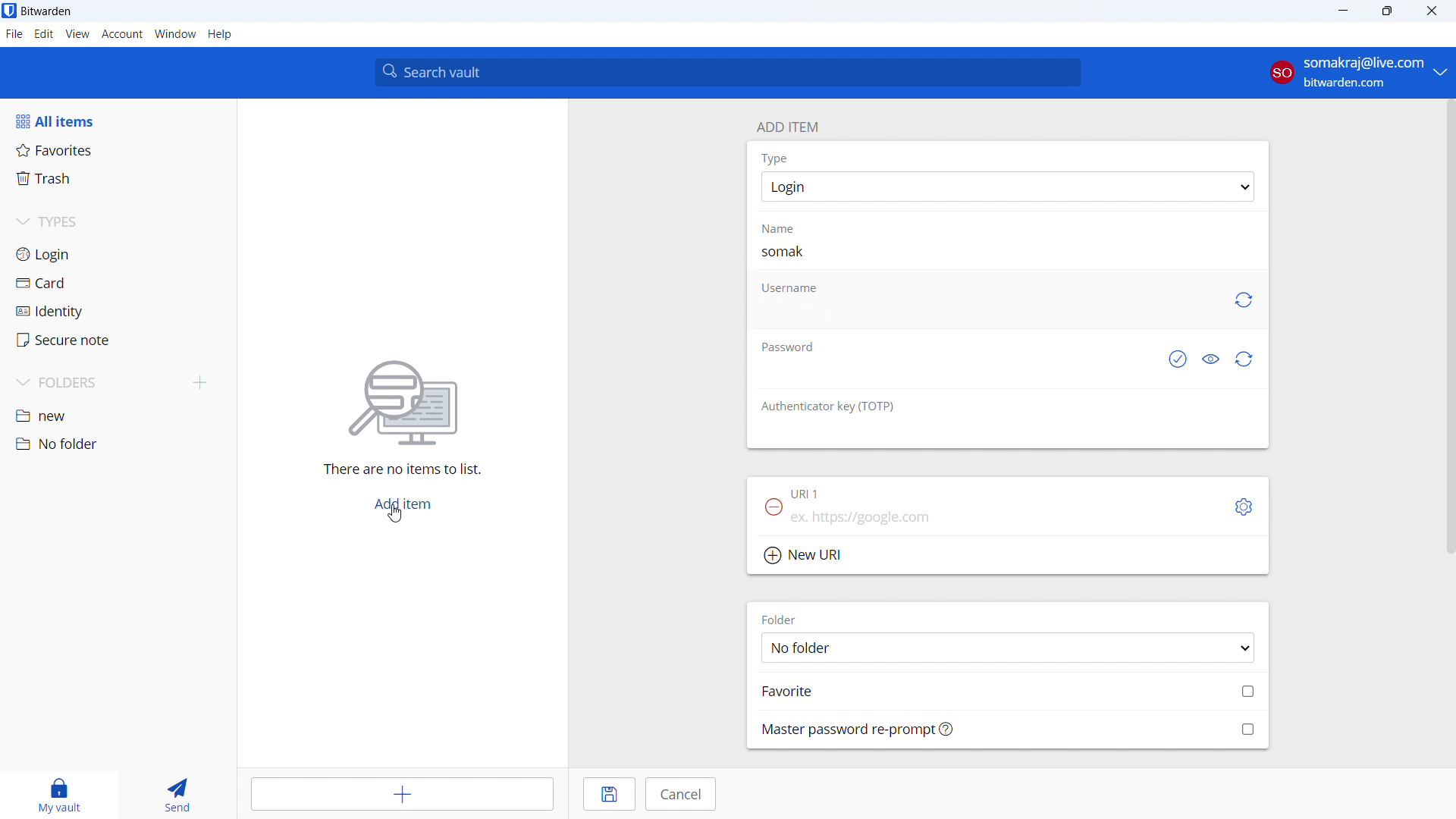 This screenshot has width=1456, height=819. What do you see at coordinates (220, 34) in the screenshot?
I see `help` at bounding box center [220, 34].